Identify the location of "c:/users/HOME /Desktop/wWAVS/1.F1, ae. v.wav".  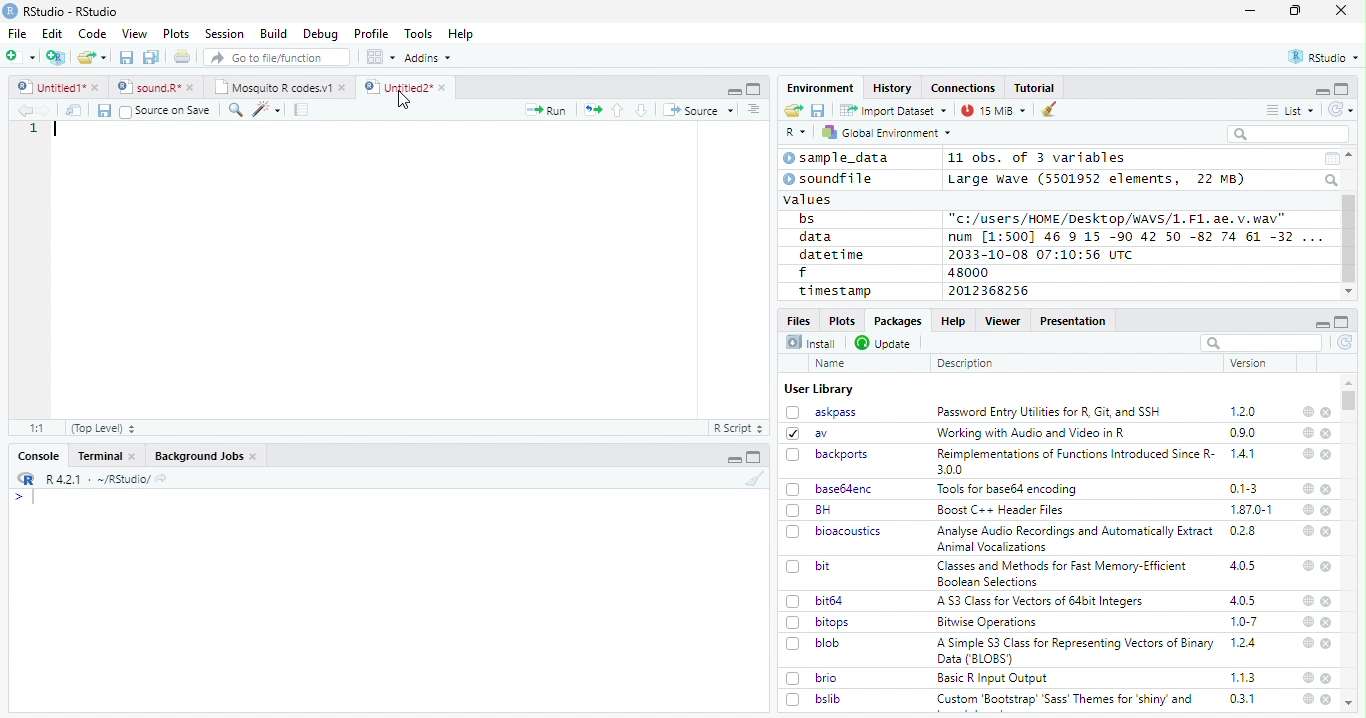
(1119, 217).